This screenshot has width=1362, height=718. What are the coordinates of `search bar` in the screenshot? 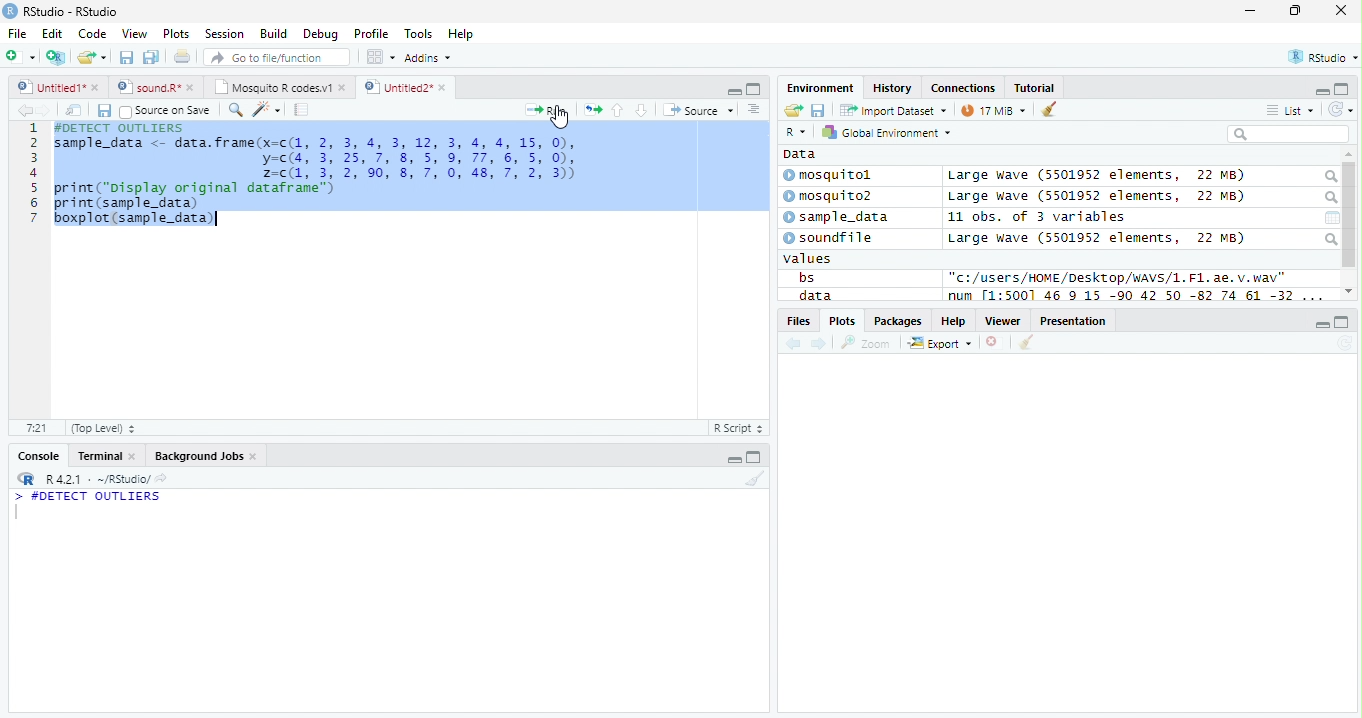 It's located at (1288, 133).